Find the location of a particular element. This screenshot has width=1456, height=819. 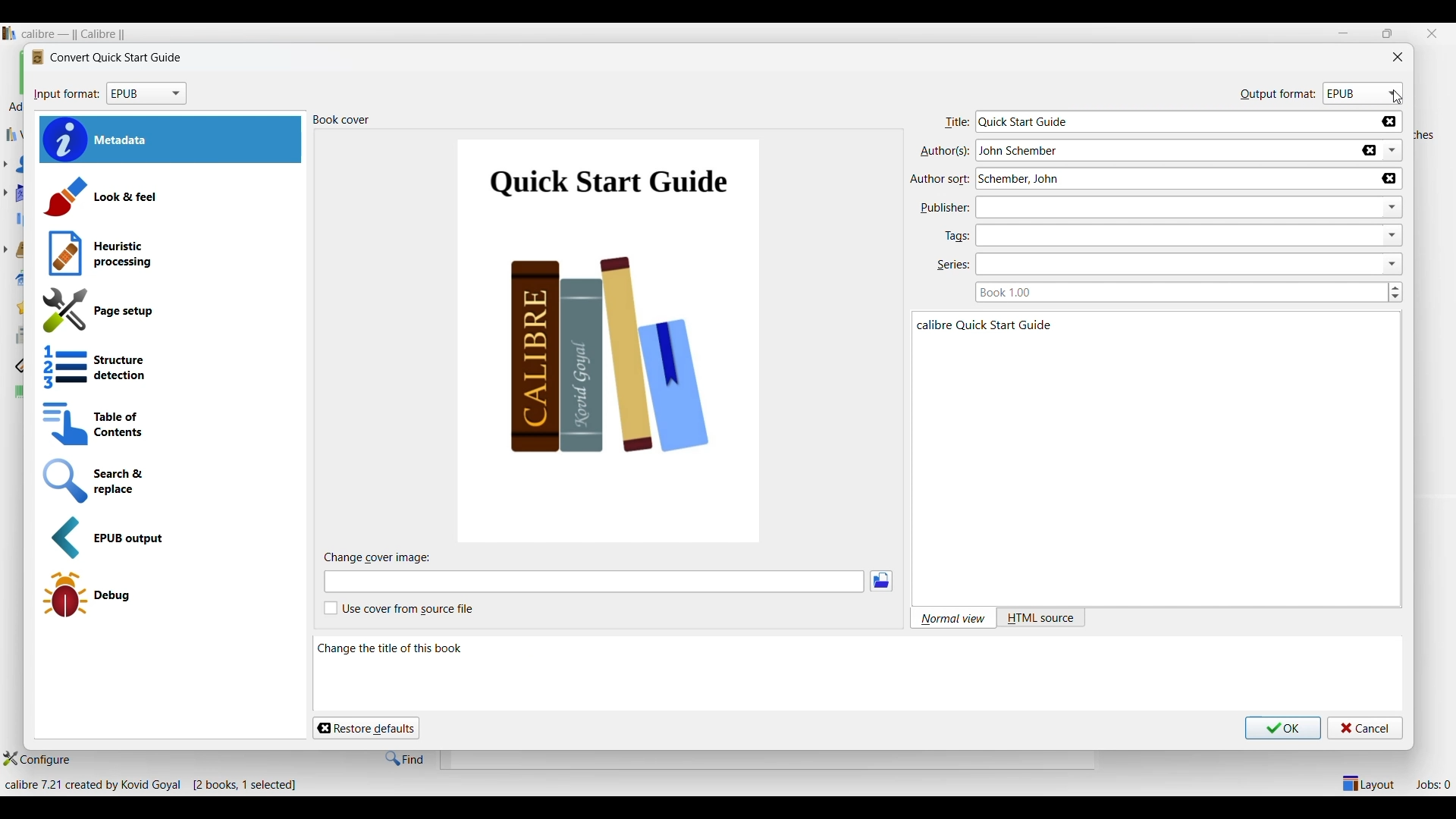

Book details is located at coordinates (1157, 460).